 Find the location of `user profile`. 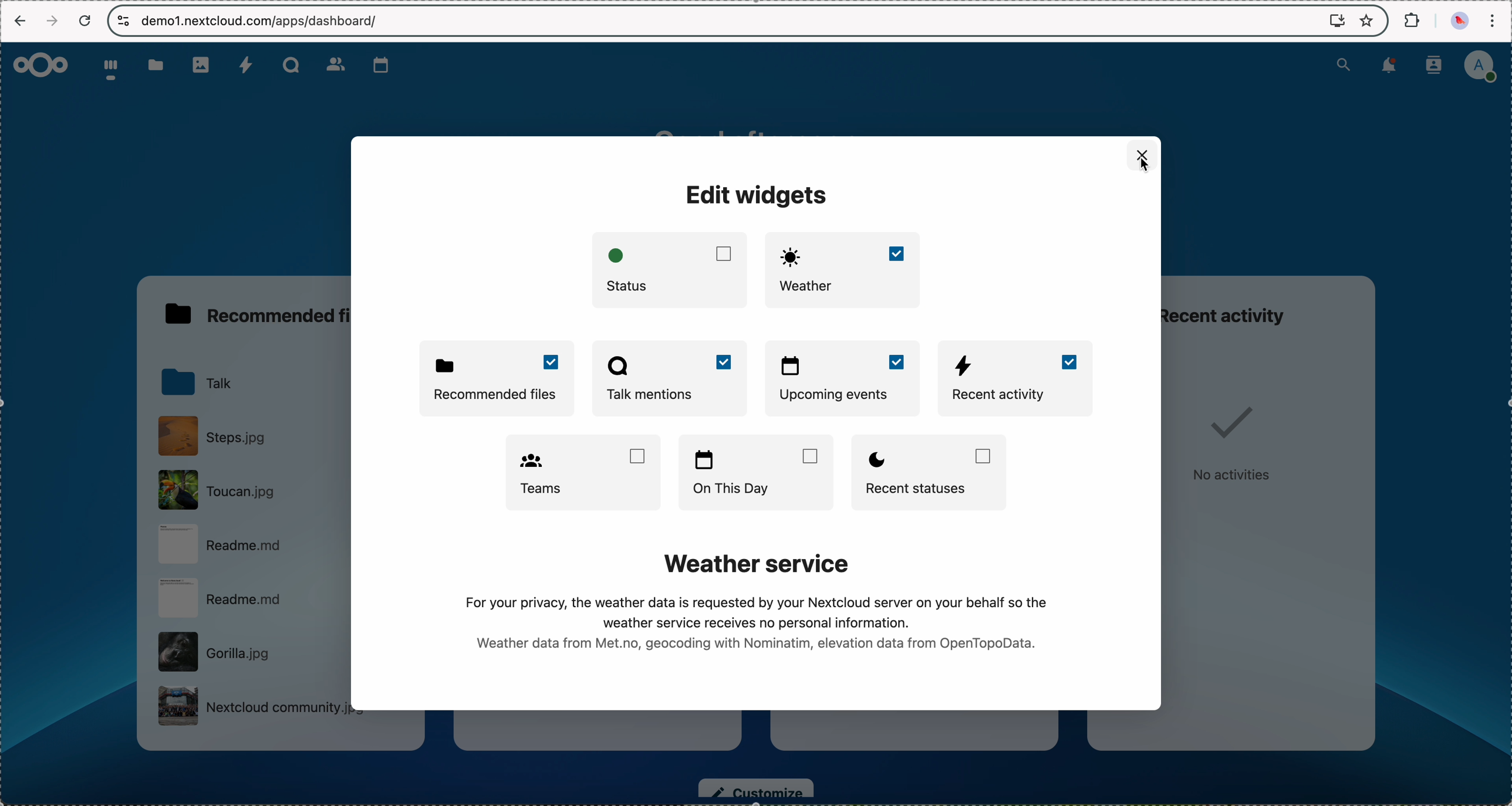

user profile is located at coordinates (1484, 66).